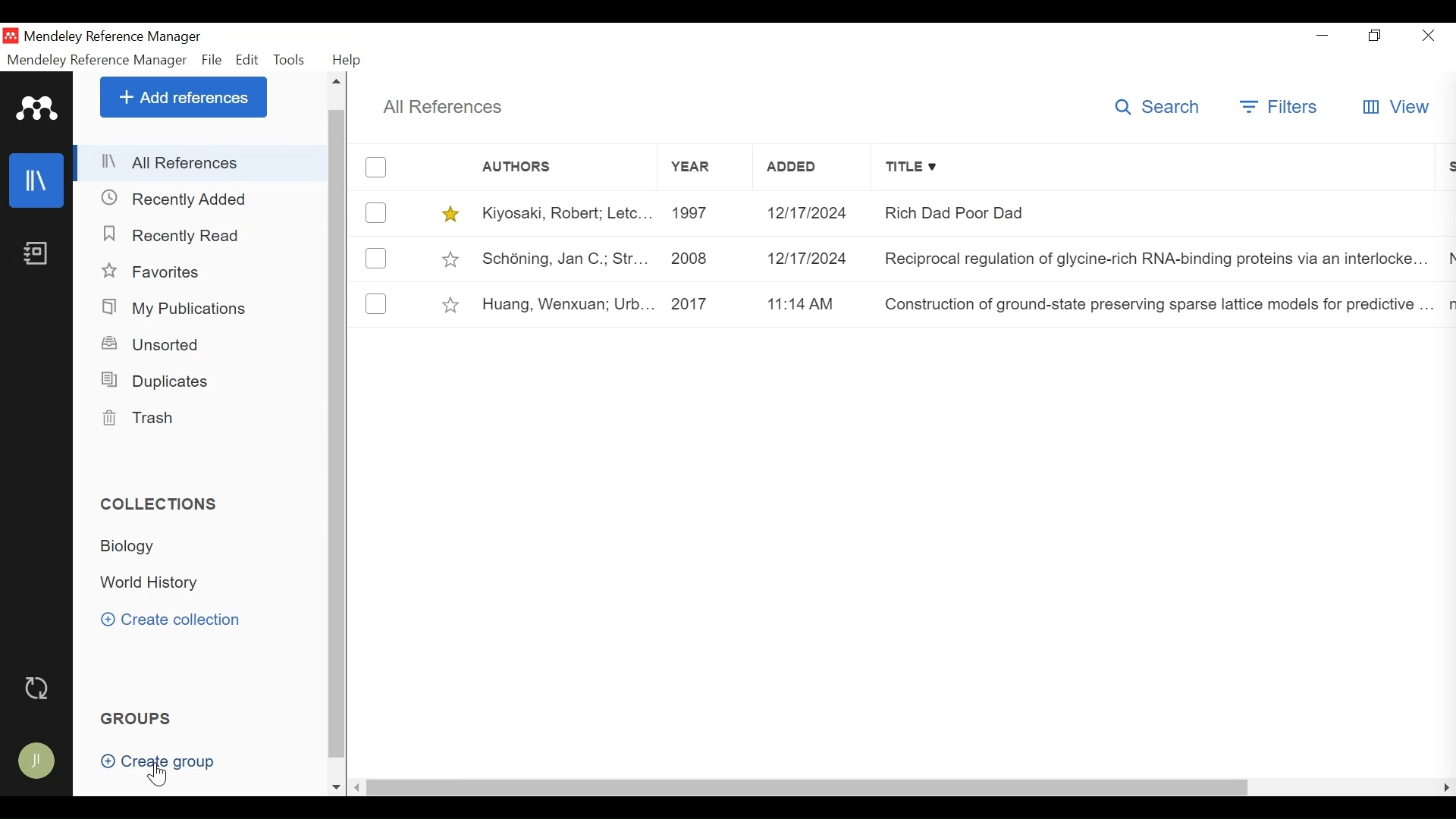 The height and width of the screenshot is (819, 1456). What do you see at coordinates (11, 36) in the screenshot?
I see `Mendeley Desktop Icon` at bounding box center [11, 36].